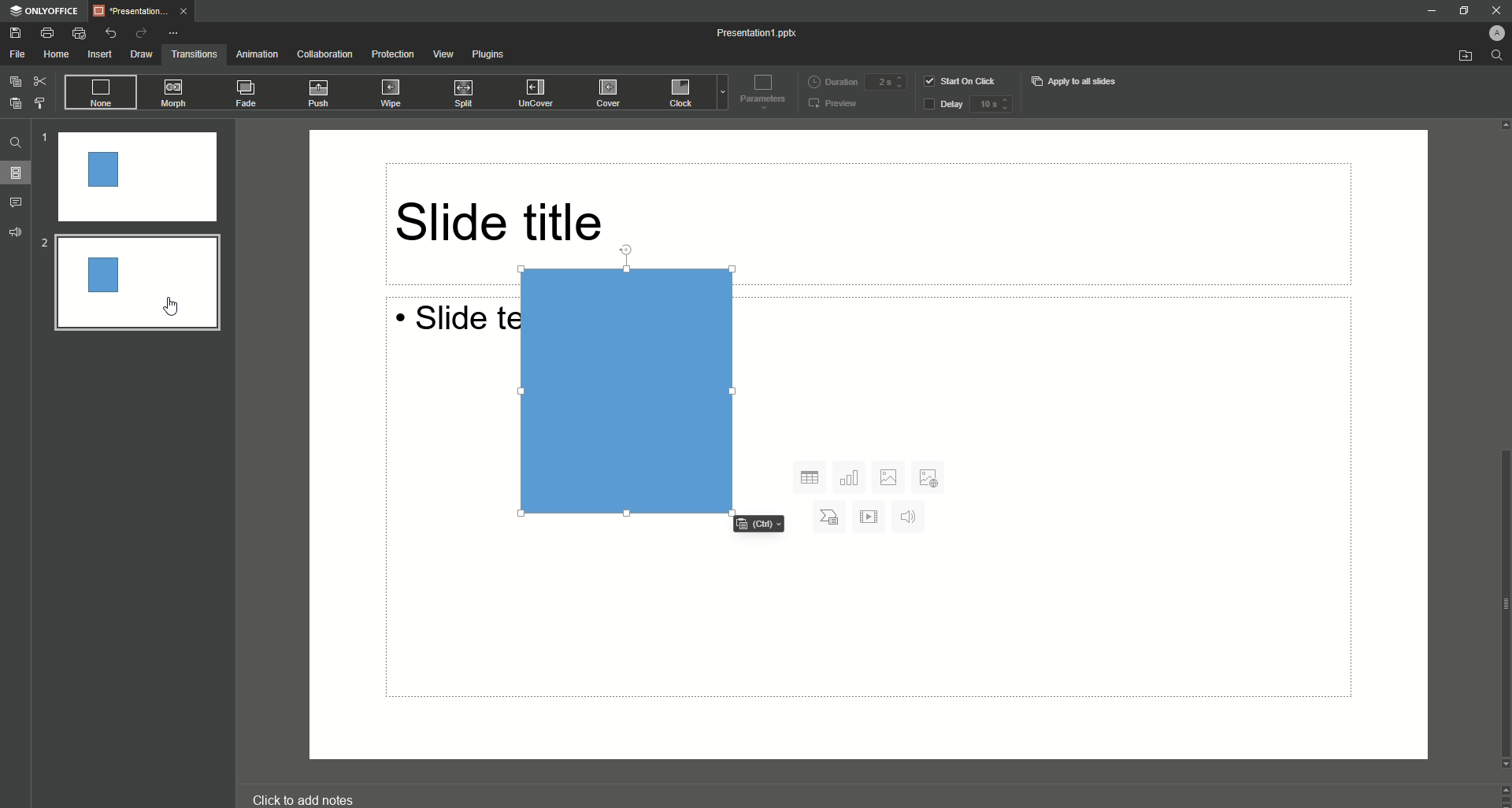 The width and height of the screenshot is (1512, 808). I want to click on Apply to all slides, so click(1079, 82).